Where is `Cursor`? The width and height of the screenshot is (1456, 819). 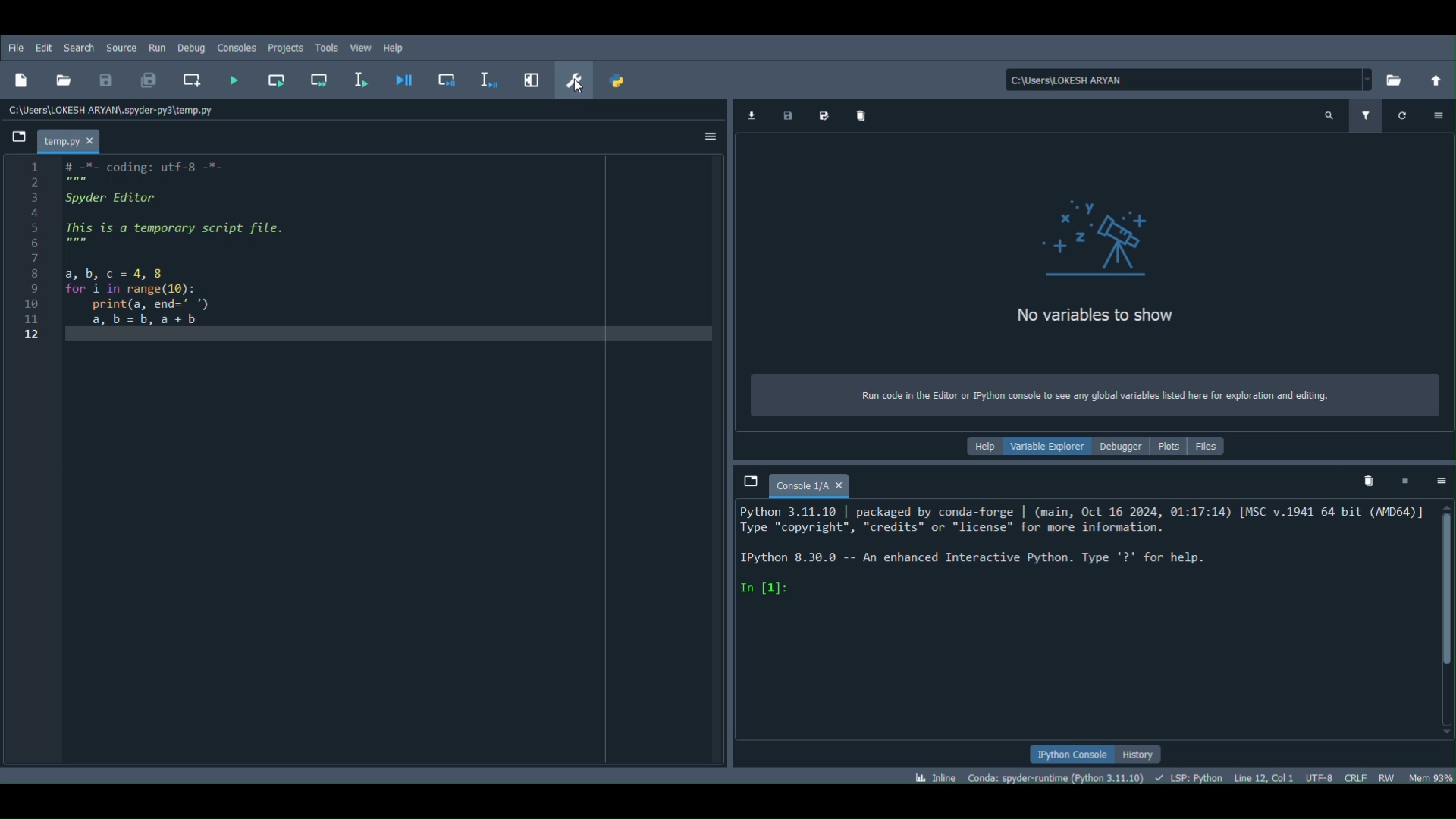 Cursor is located at coordinates (576, 86).